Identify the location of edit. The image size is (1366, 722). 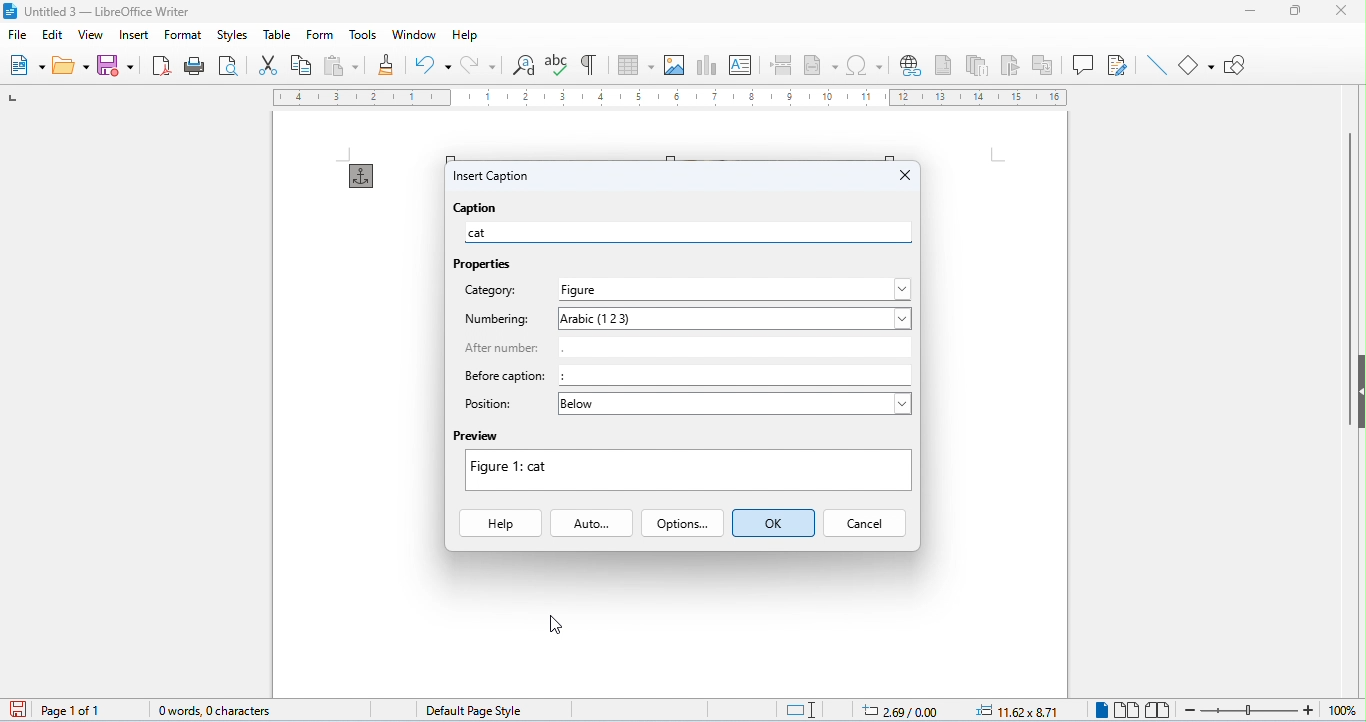
(53, 35).